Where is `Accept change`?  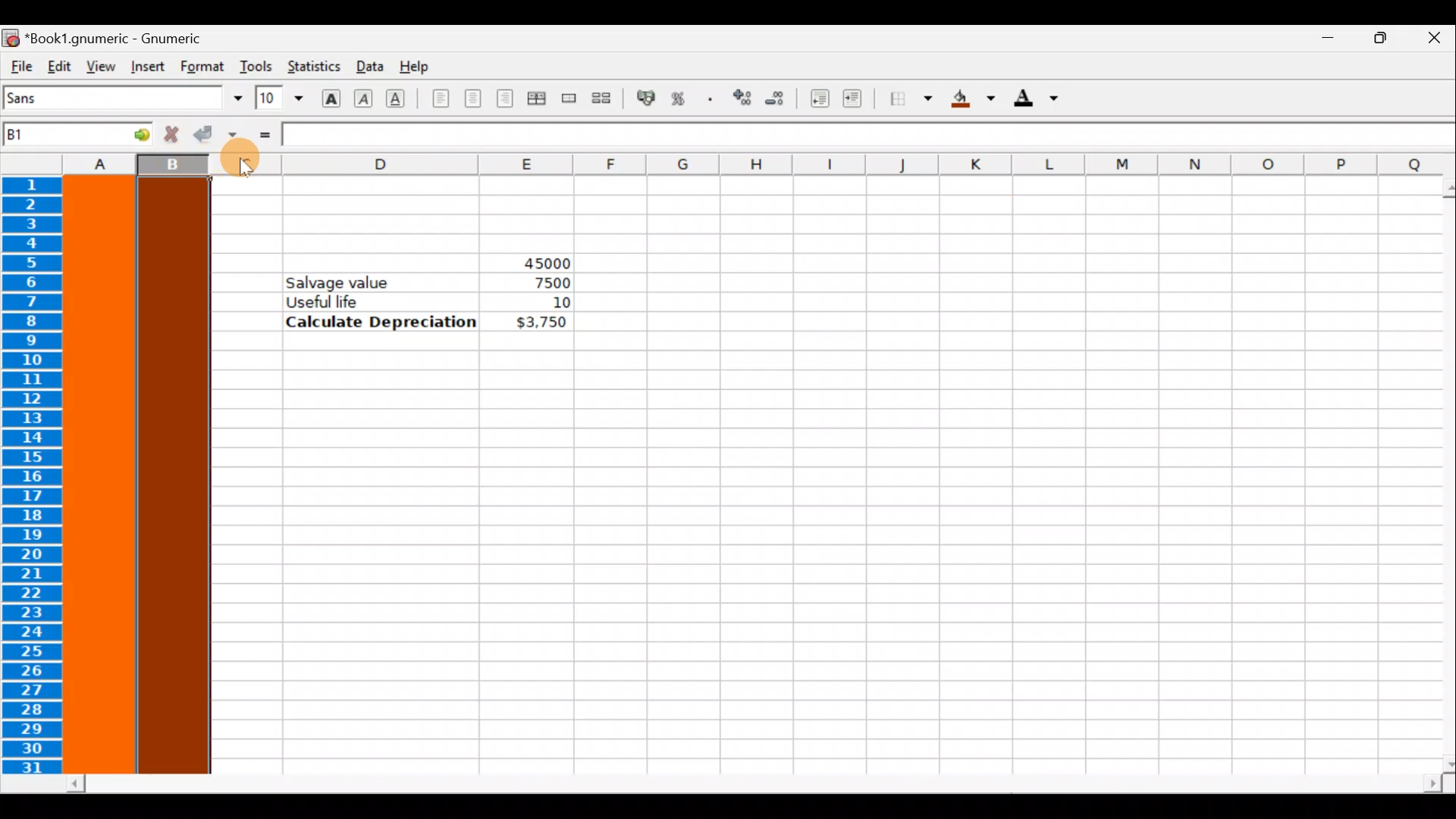
Accept change is located at coordinates (215, 135).